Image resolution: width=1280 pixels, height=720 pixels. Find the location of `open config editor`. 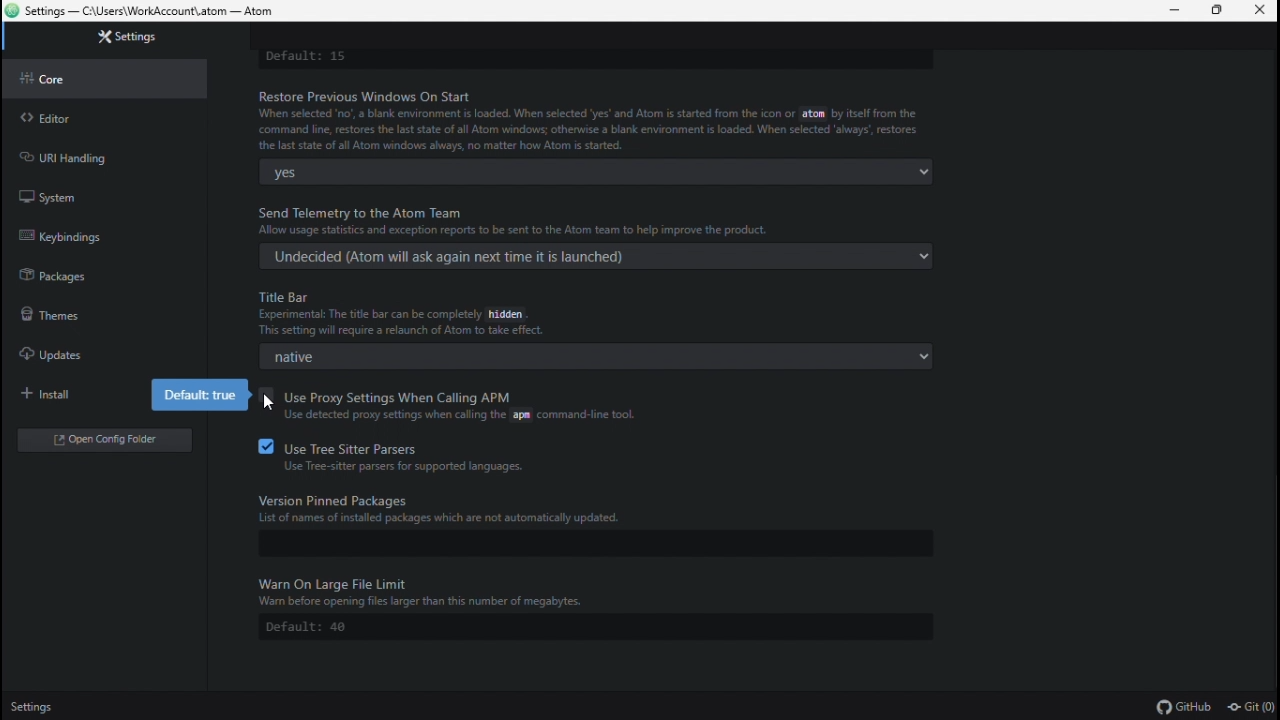

open config editor is located at coordinates (103, 439).